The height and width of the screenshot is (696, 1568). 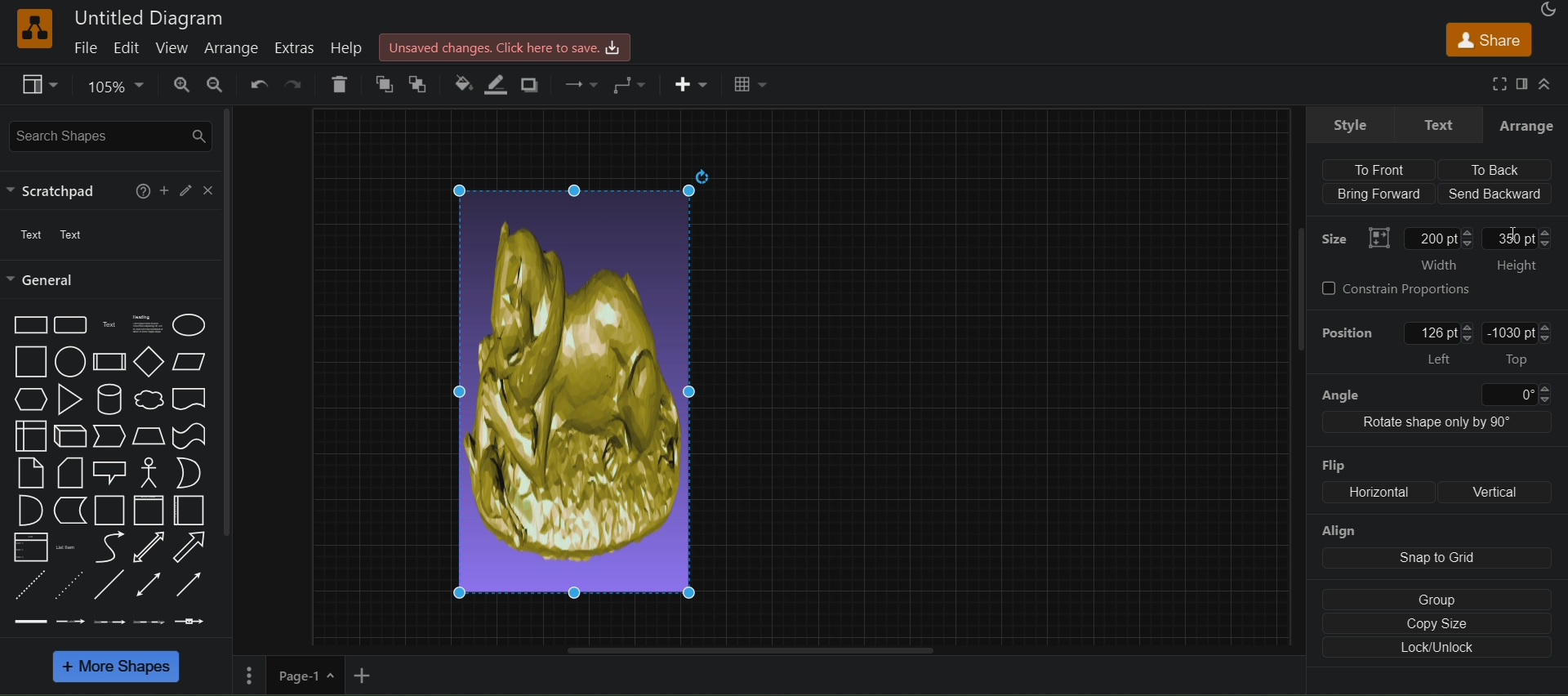 What do you see at coordinates (1520, 344) in the screenshot?
I see `-1030pt Top` at bounding box center [1520, 344].